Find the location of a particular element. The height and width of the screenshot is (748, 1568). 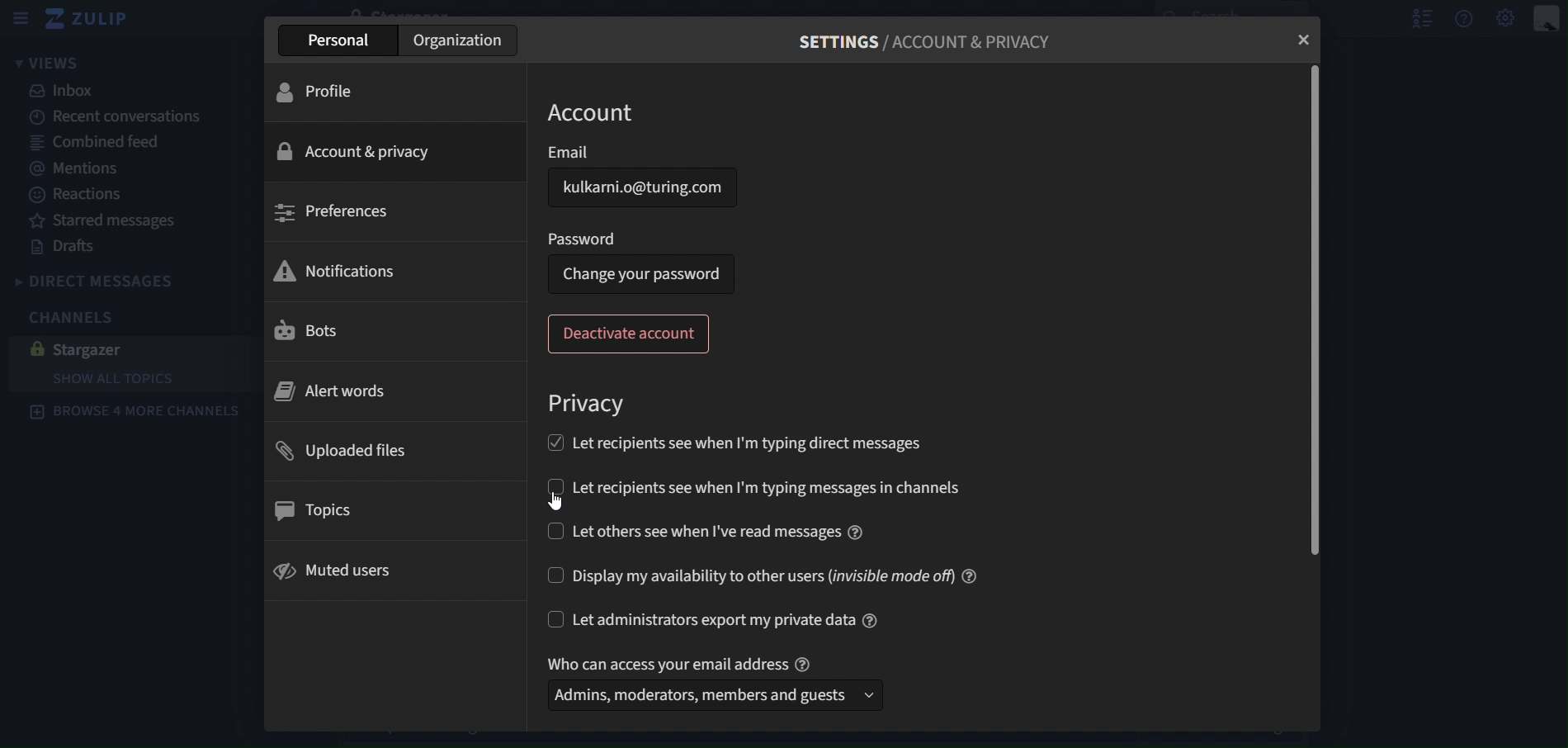

sidebar is located at coordinates (20, 21).